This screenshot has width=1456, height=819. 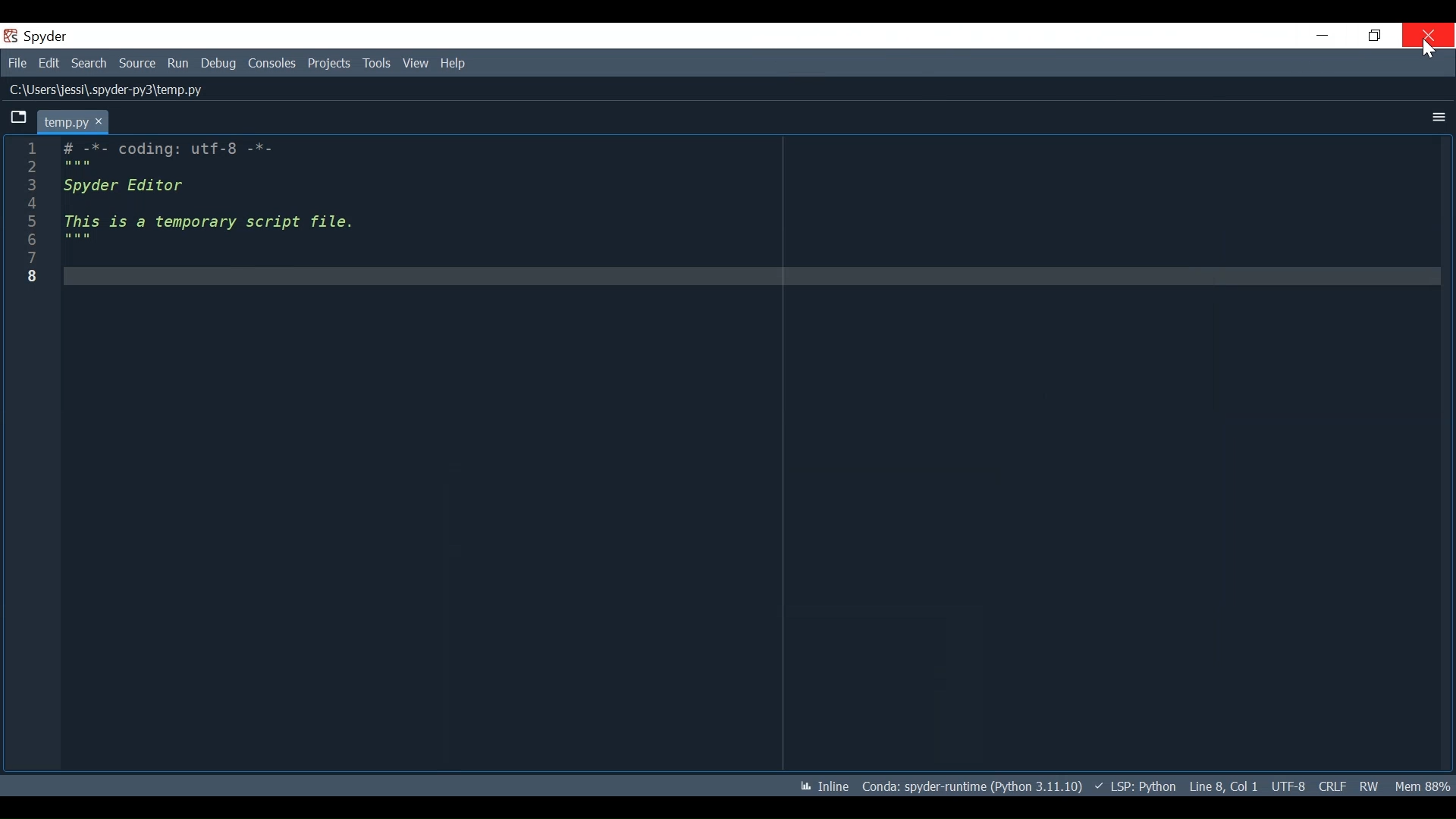 What do you see at coordinates (90, 62) in the screenshot?
I see `Search` at bounding box center [90, 62].